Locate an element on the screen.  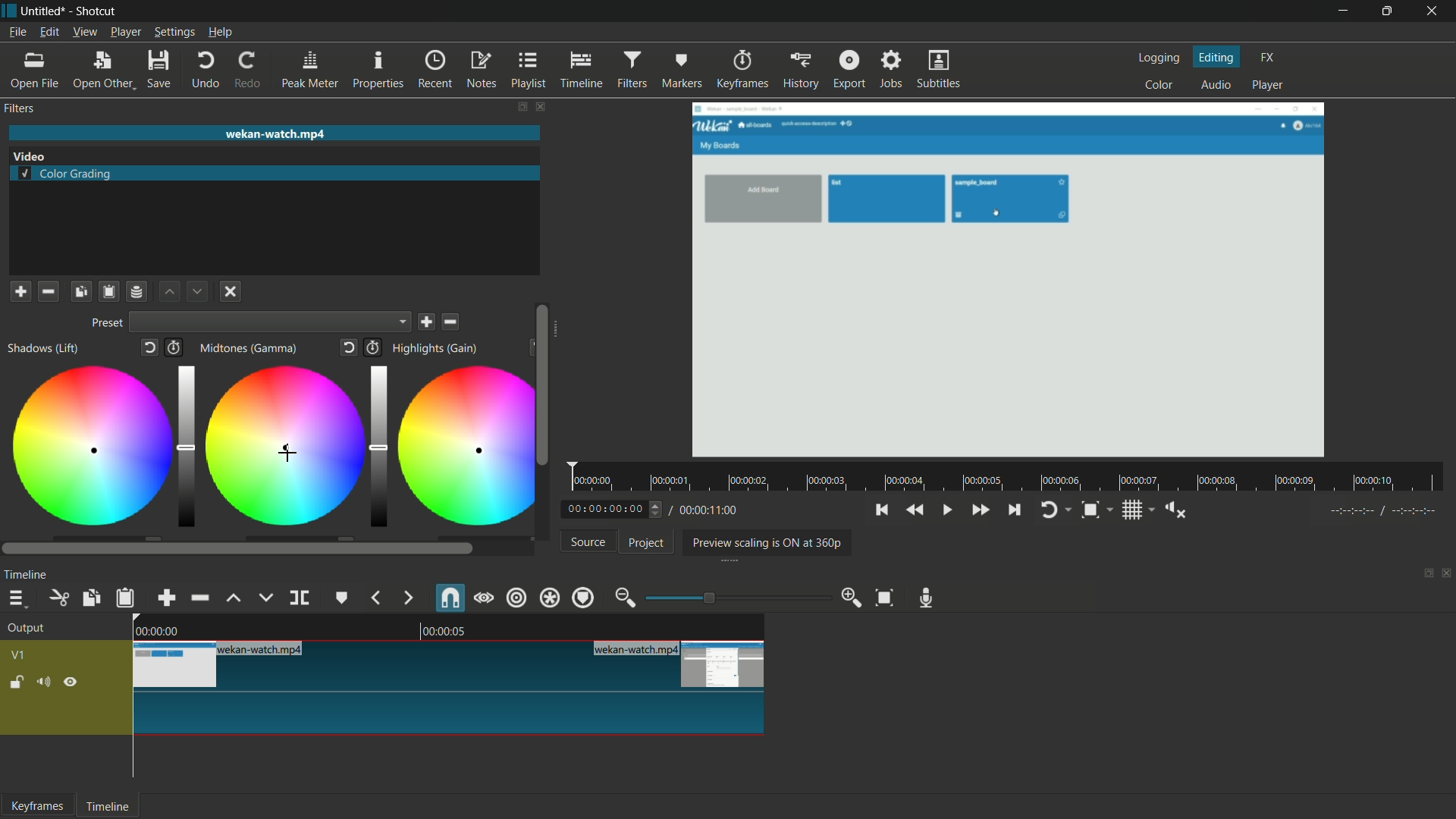
quickly play forward is located at coordinates (980, 510).